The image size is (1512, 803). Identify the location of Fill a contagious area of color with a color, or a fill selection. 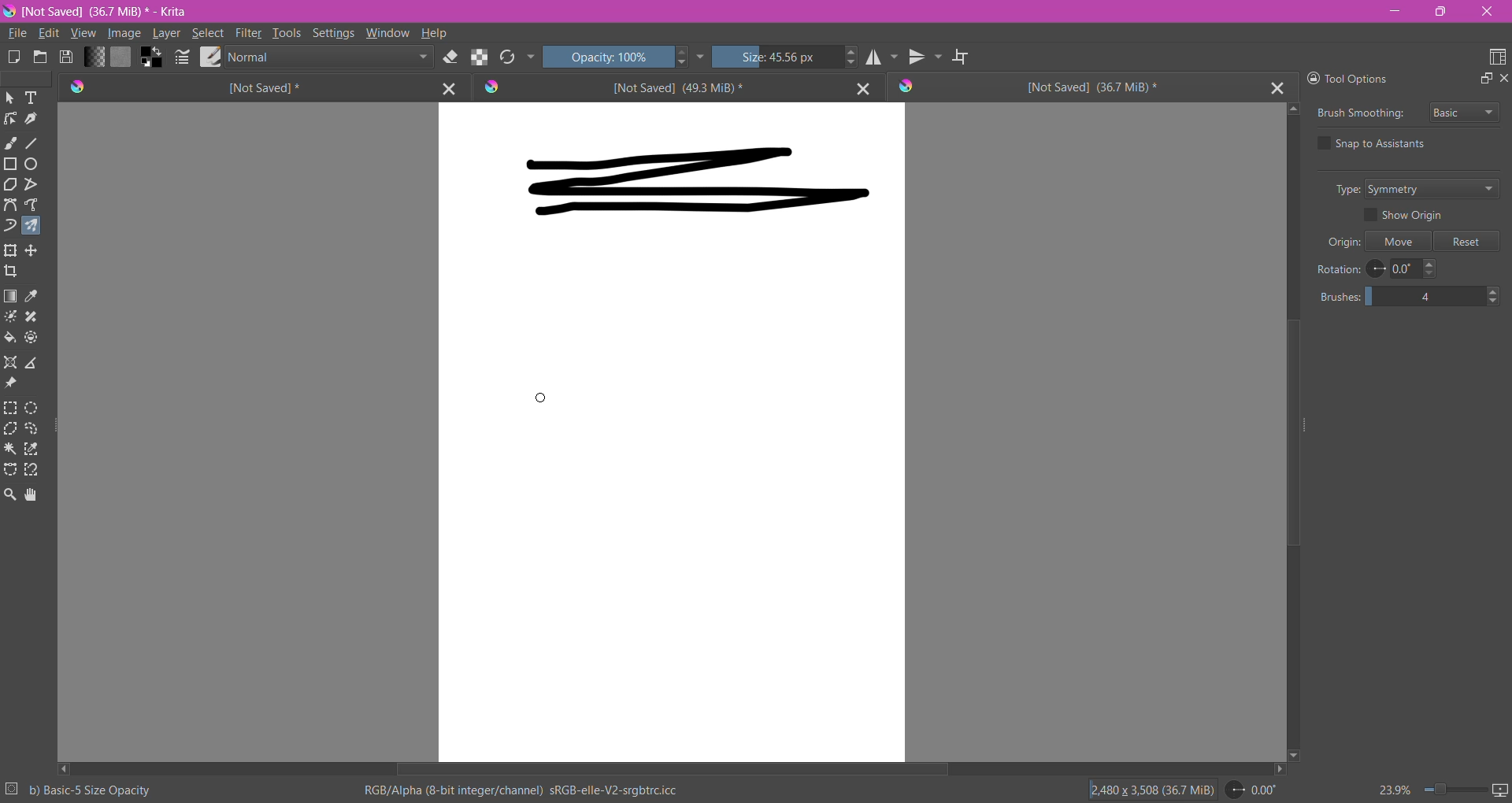
(11, 338).